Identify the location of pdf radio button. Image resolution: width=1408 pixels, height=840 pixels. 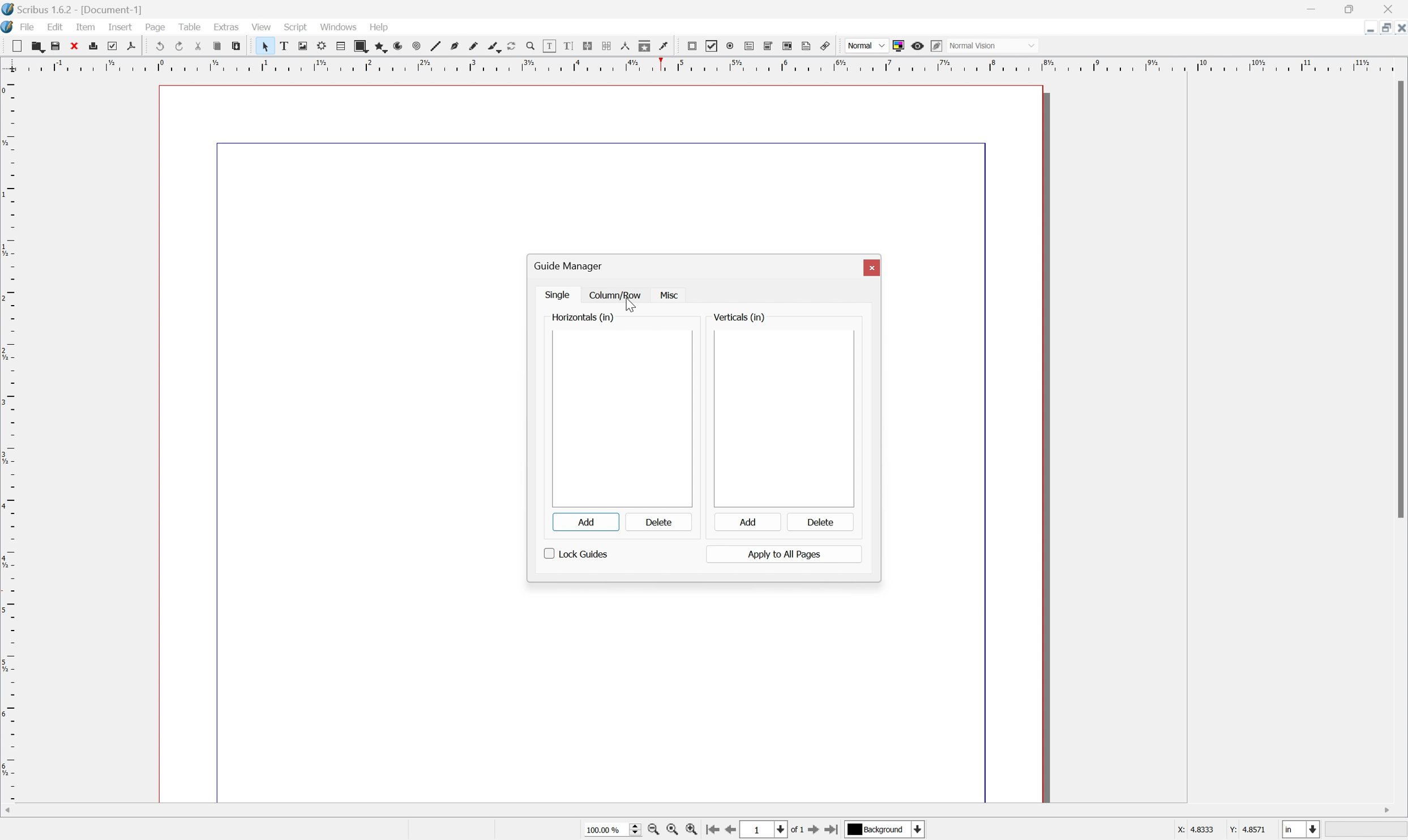
(731, 45).